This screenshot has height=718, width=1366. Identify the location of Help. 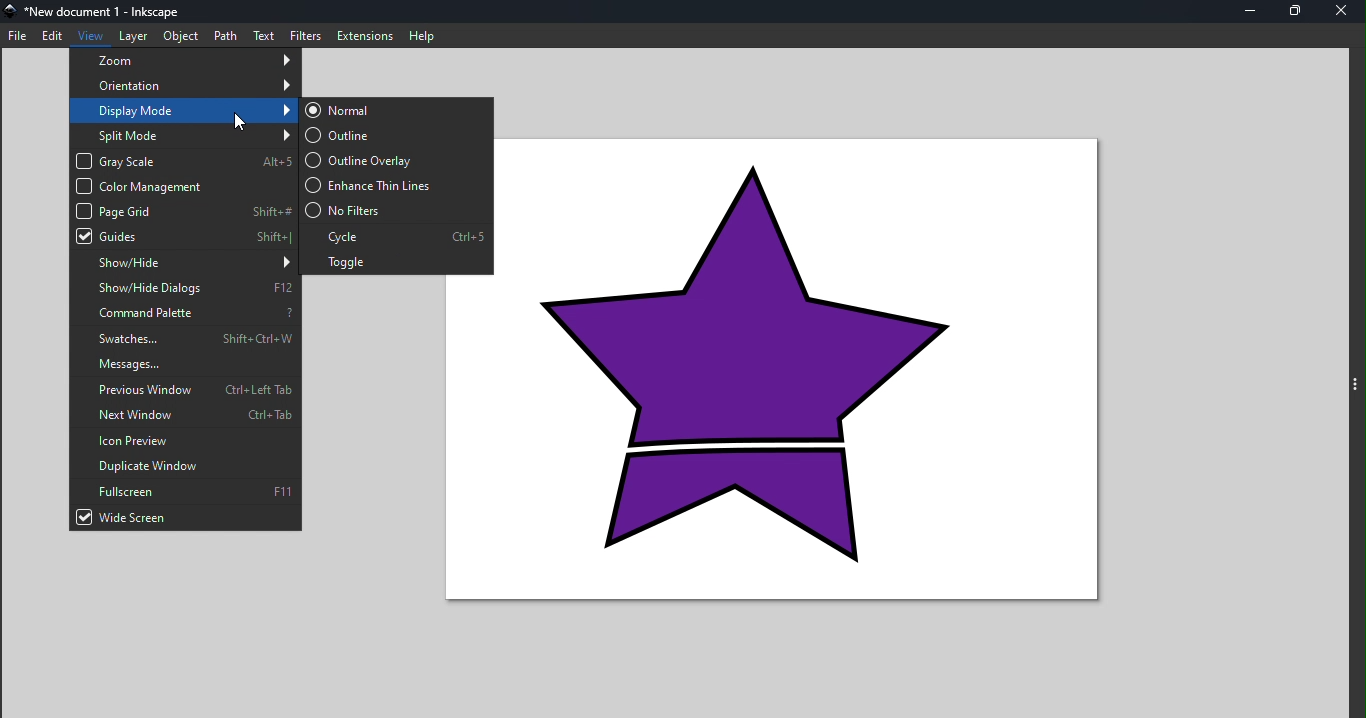
(424, 34).